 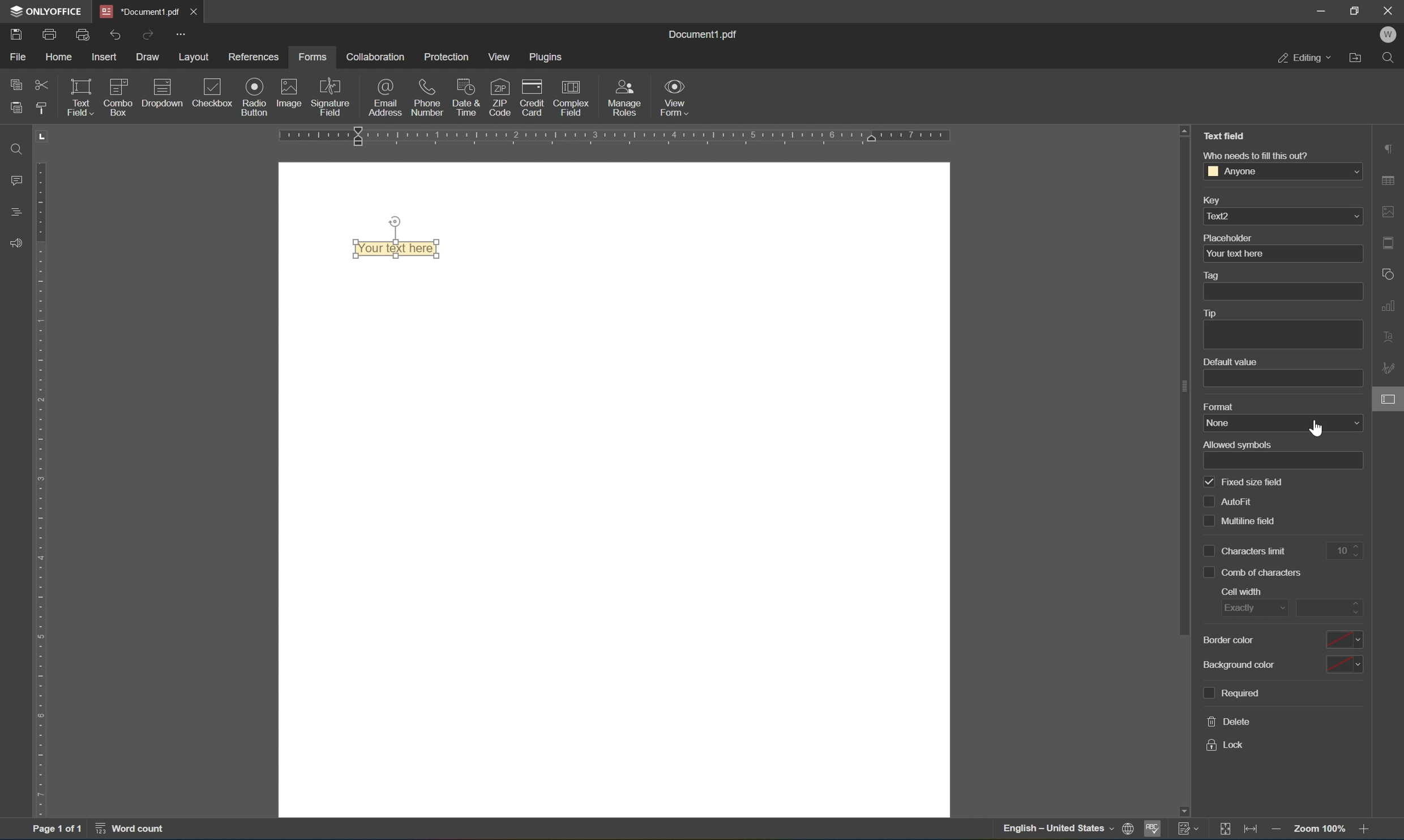 I want to click on customize quick access toolbar, so click(x=182, y=31).